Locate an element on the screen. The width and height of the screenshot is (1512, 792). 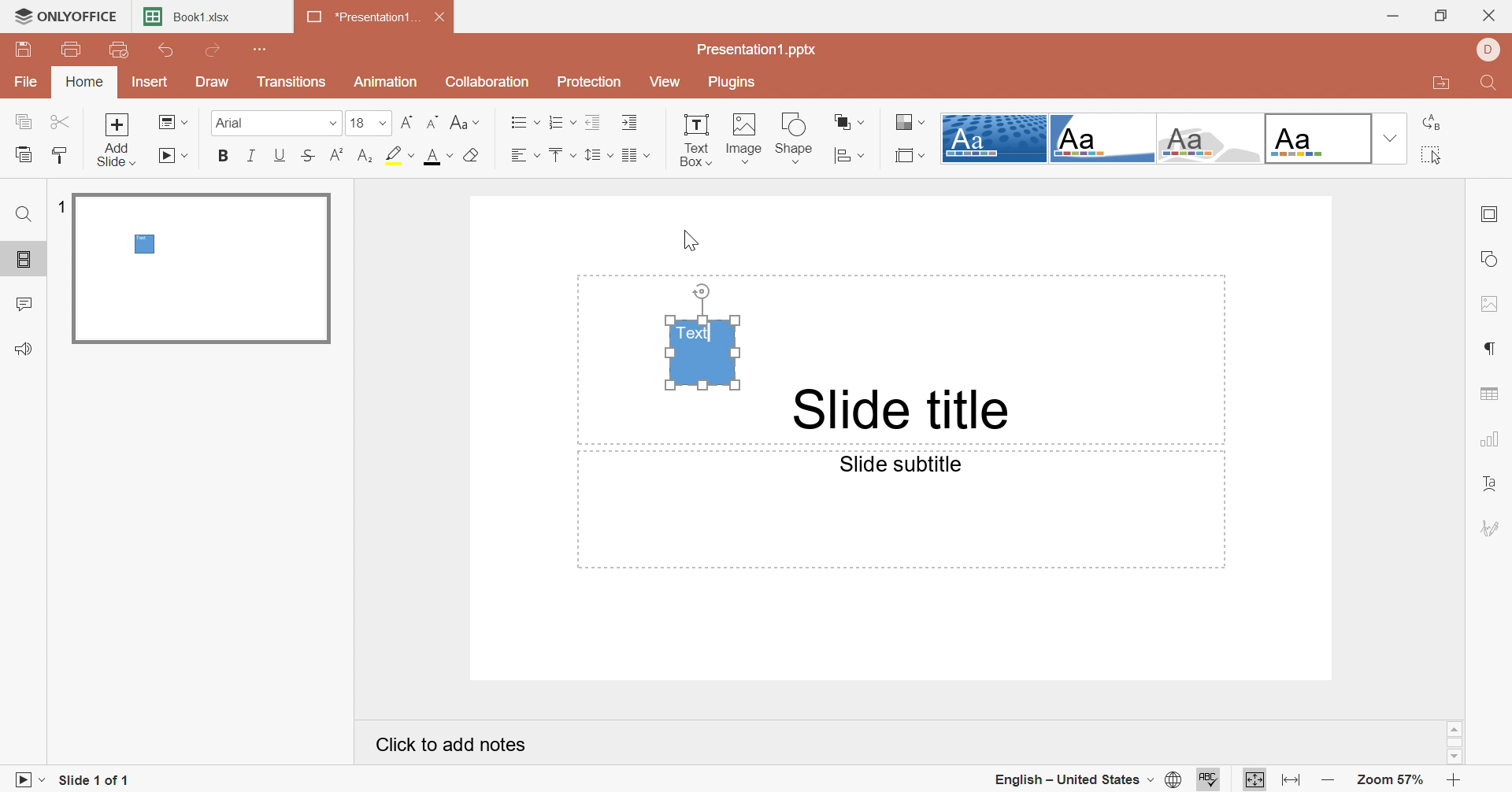
Cut is located at coordinates (62, 121).